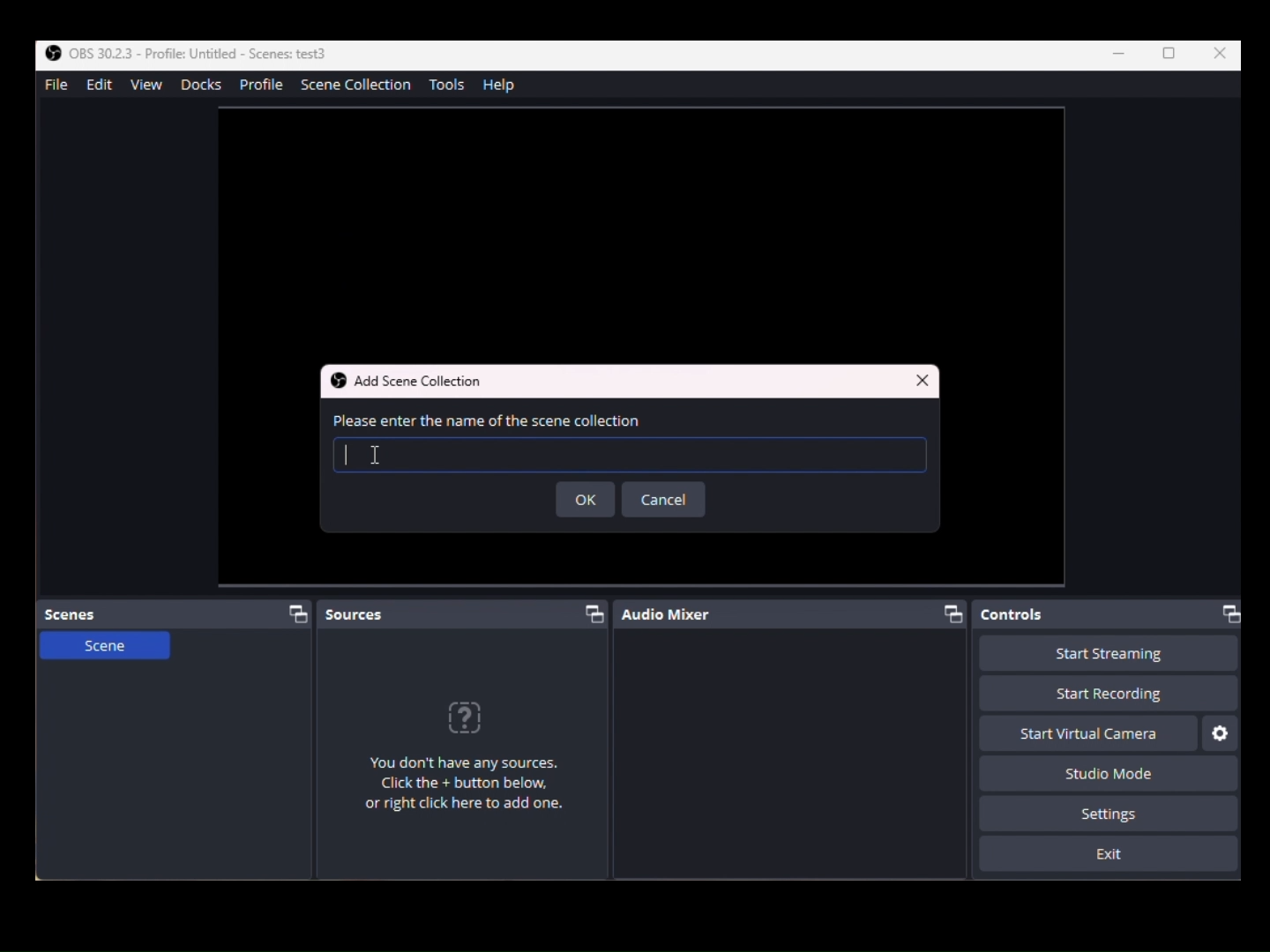 The width and height of the screenshot is (1270, 952). Describe the element at coordinates (923, 378) in the screenshot. I see `Close` at that location.